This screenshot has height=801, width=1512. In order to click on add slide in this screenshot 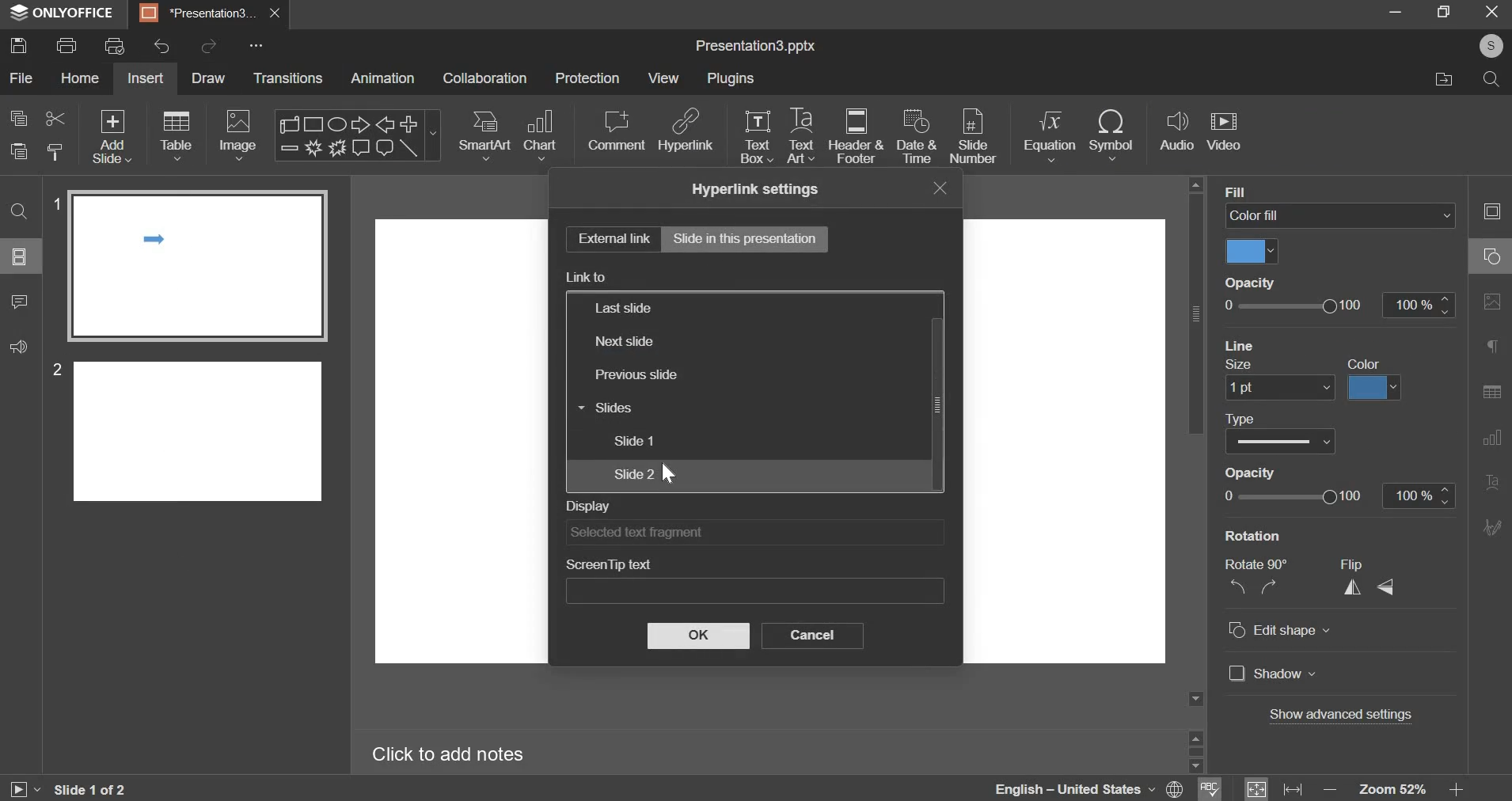, I will do `click(112, 136)`.